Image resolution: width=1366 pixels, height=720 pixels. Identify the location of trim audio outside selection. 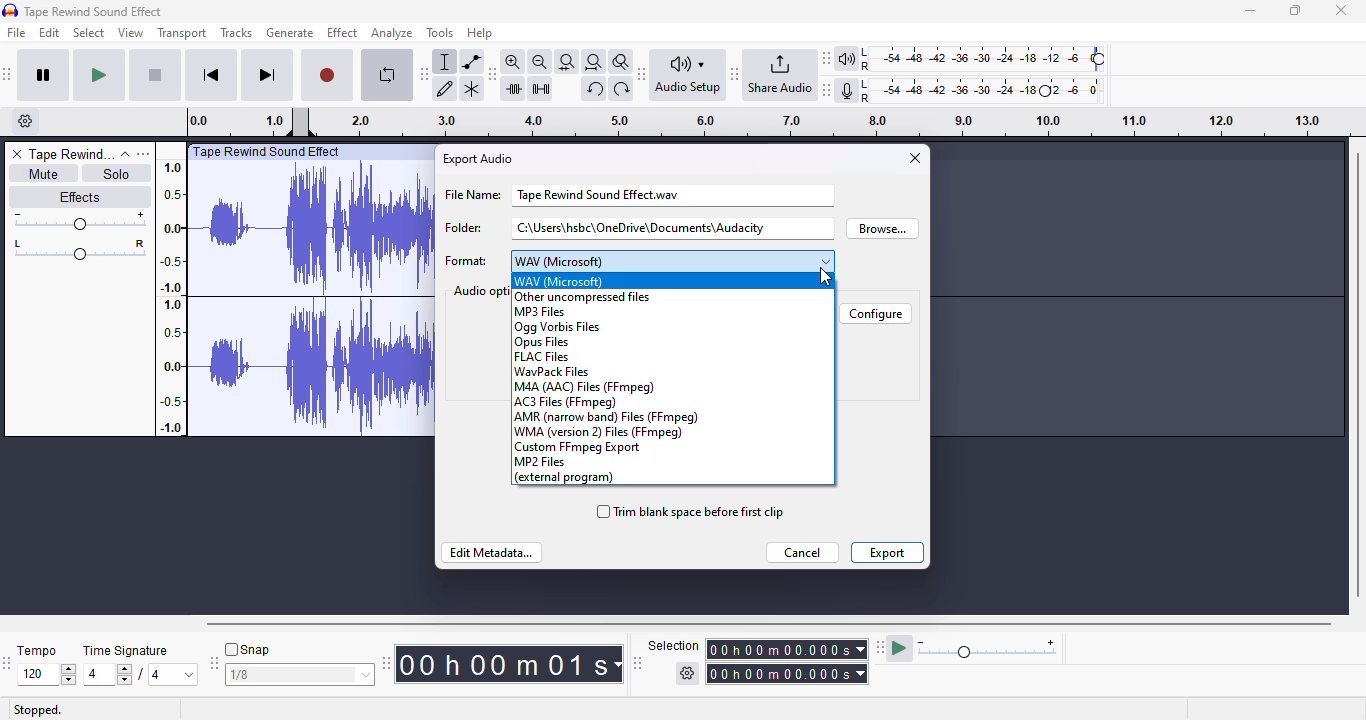
(513, 88).